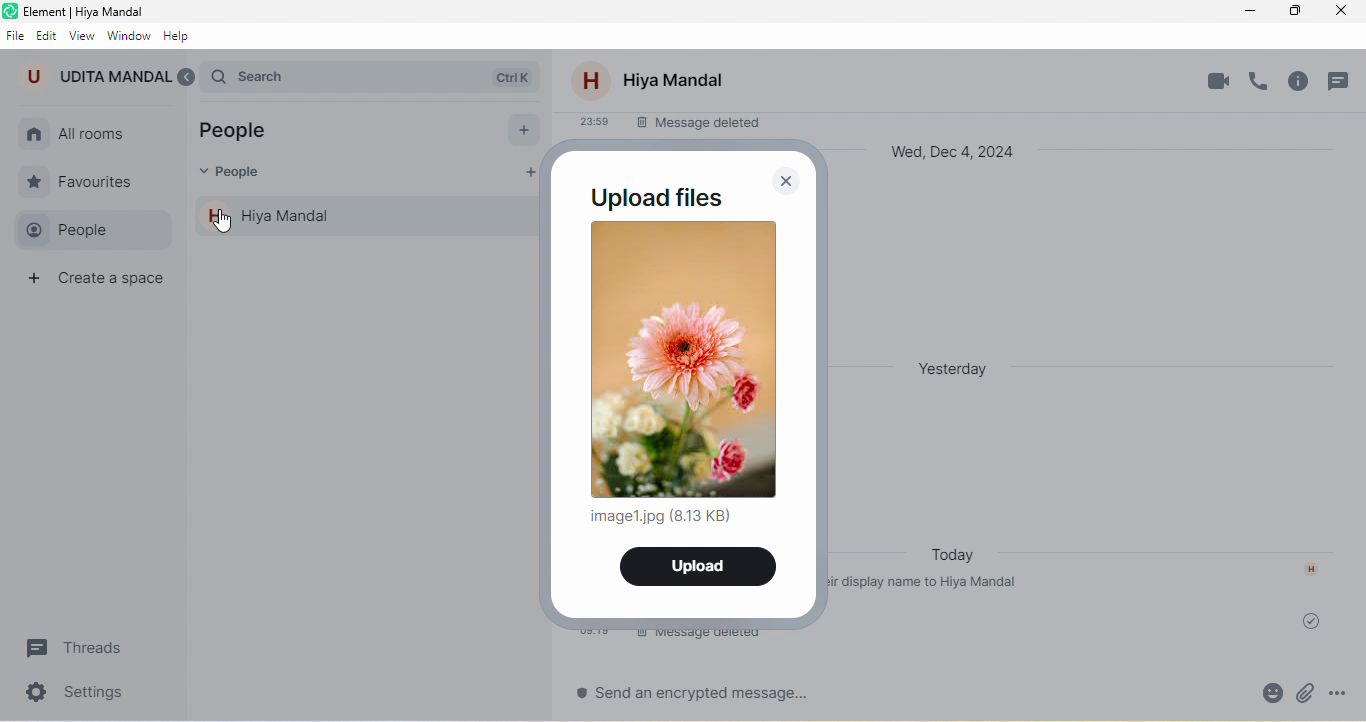 The image size is (1366, 722). I want to click on people, so click(236, 175).